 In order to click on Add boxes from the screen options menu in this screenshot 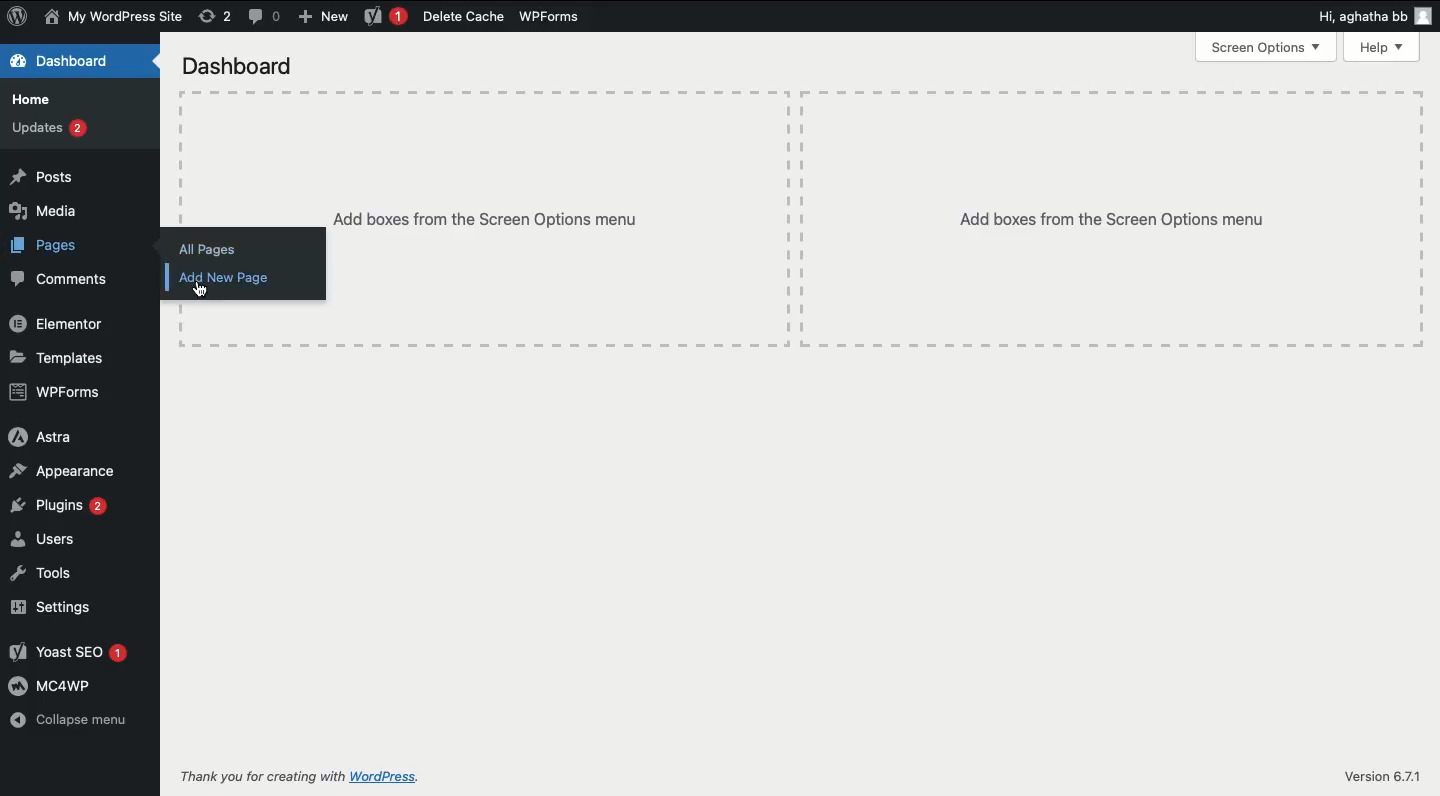, I will do `click(561, 219)`.